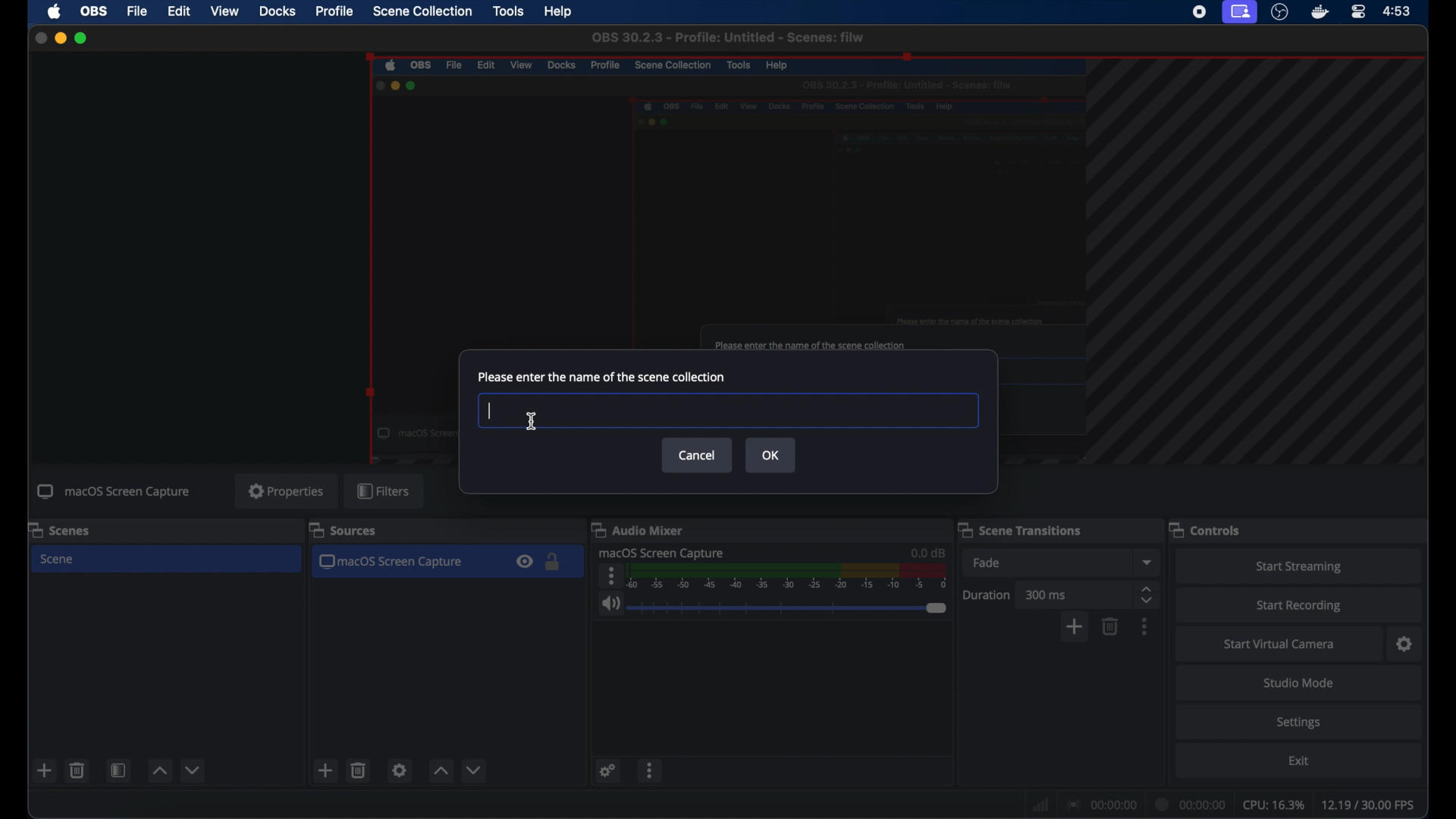 The height and width of the screenshot is (819, 1456). I want to click on minimize, so click(61, 38).